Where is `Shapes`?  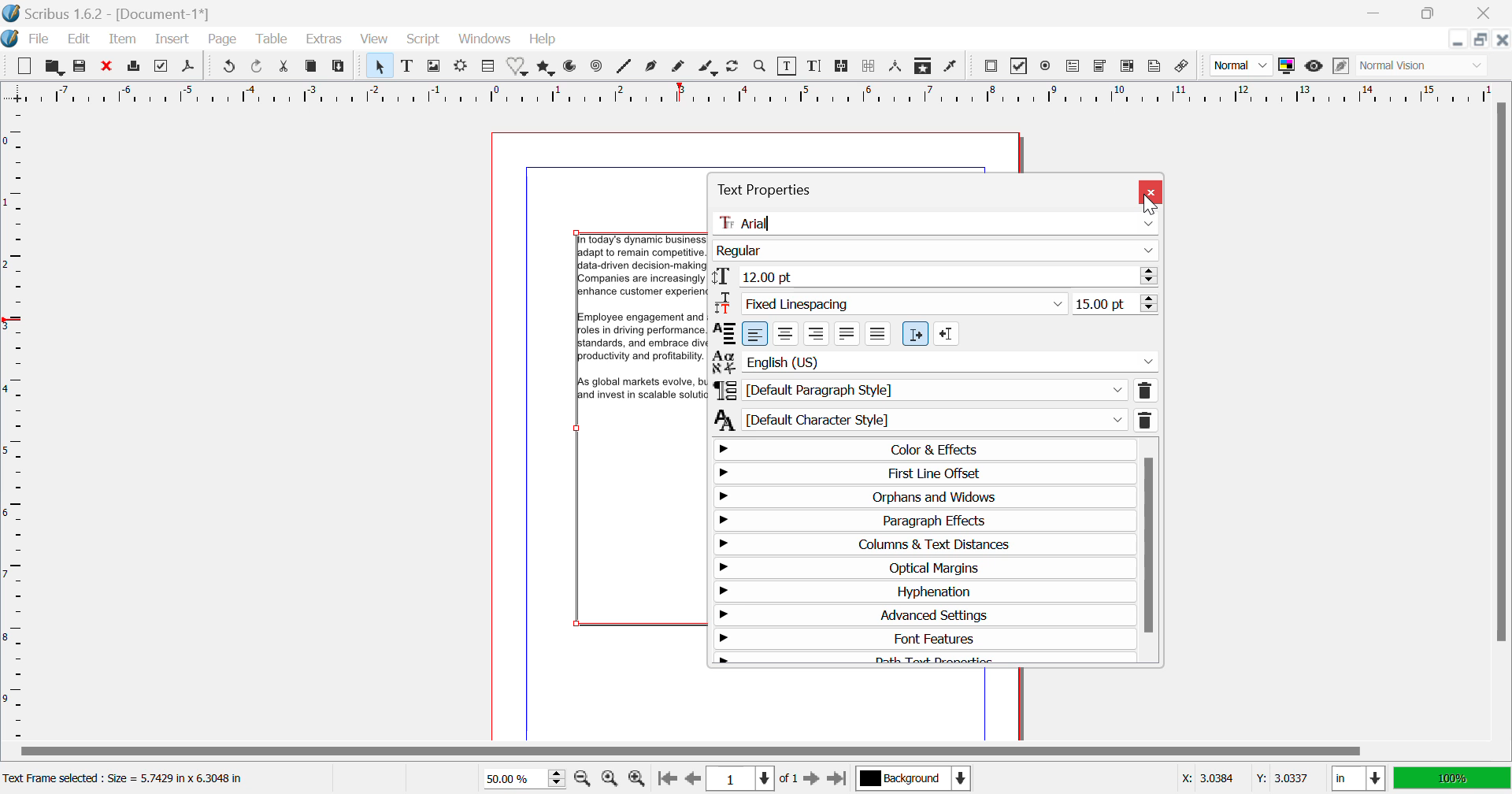
Shapes is located at coordinates (518, 66).